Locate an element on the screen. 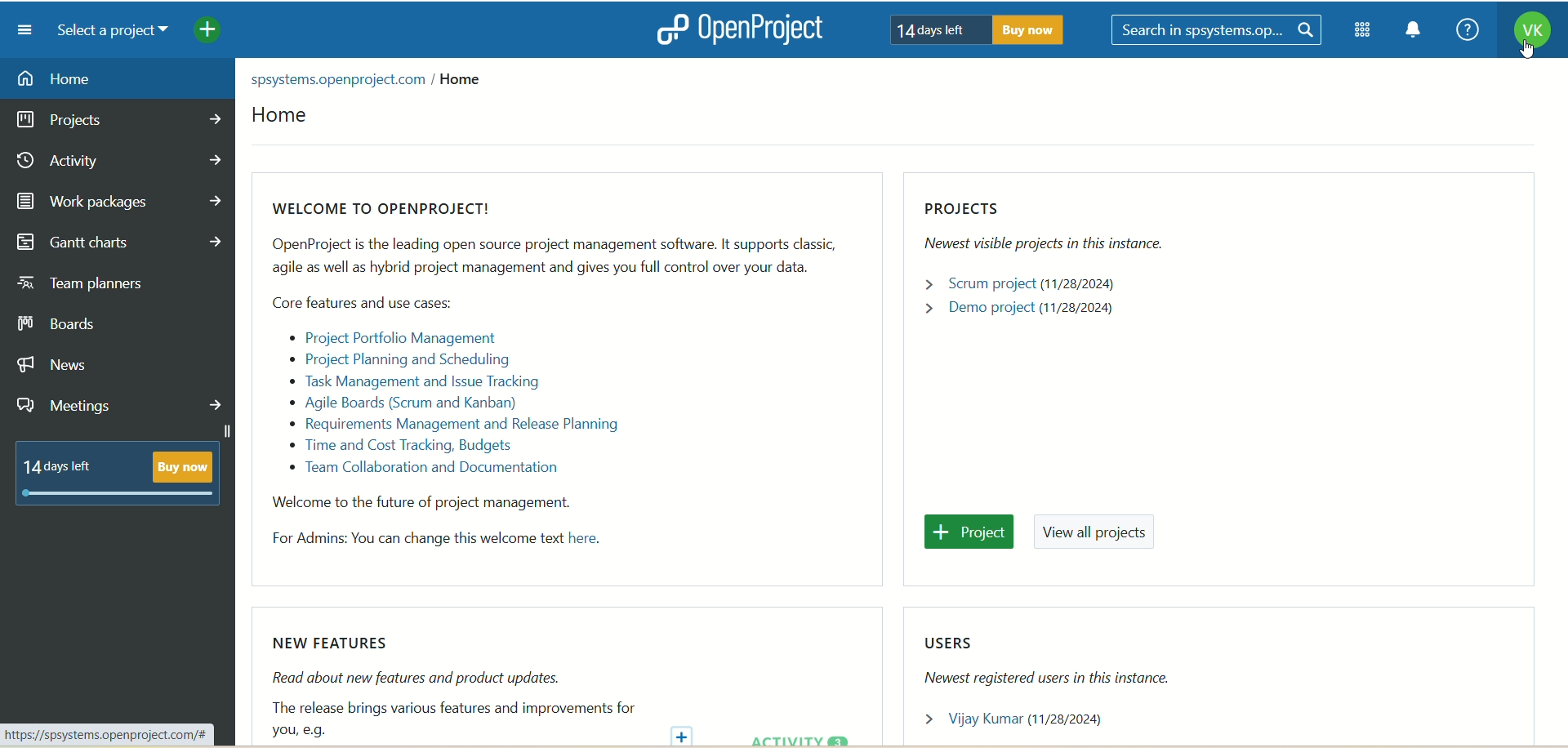 The width and height of the screenshot is (1568, 748). text is located at coordinates (541, 382).